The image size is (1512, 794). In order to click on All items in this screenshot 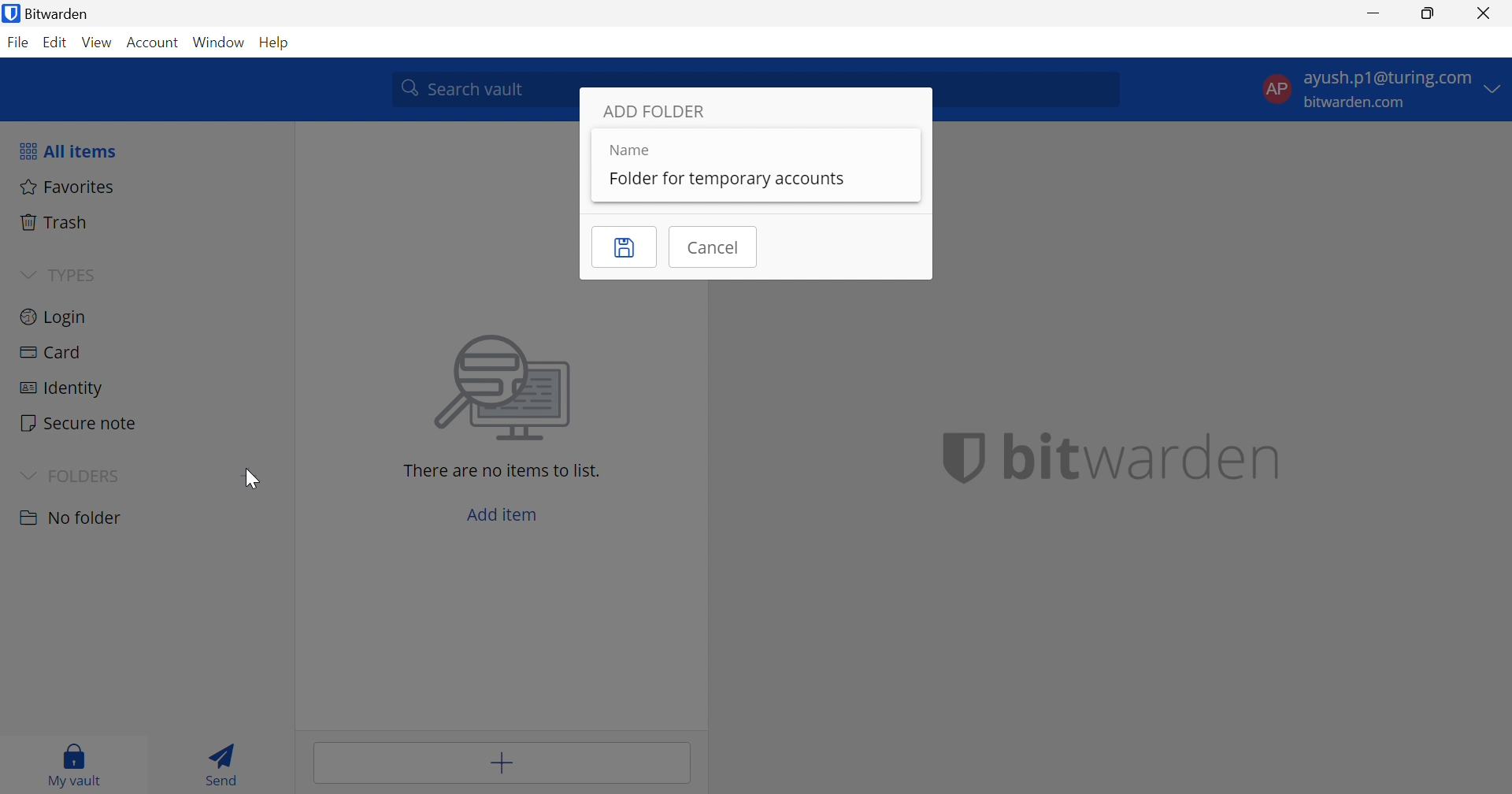, I will do `click(68, 151)`.